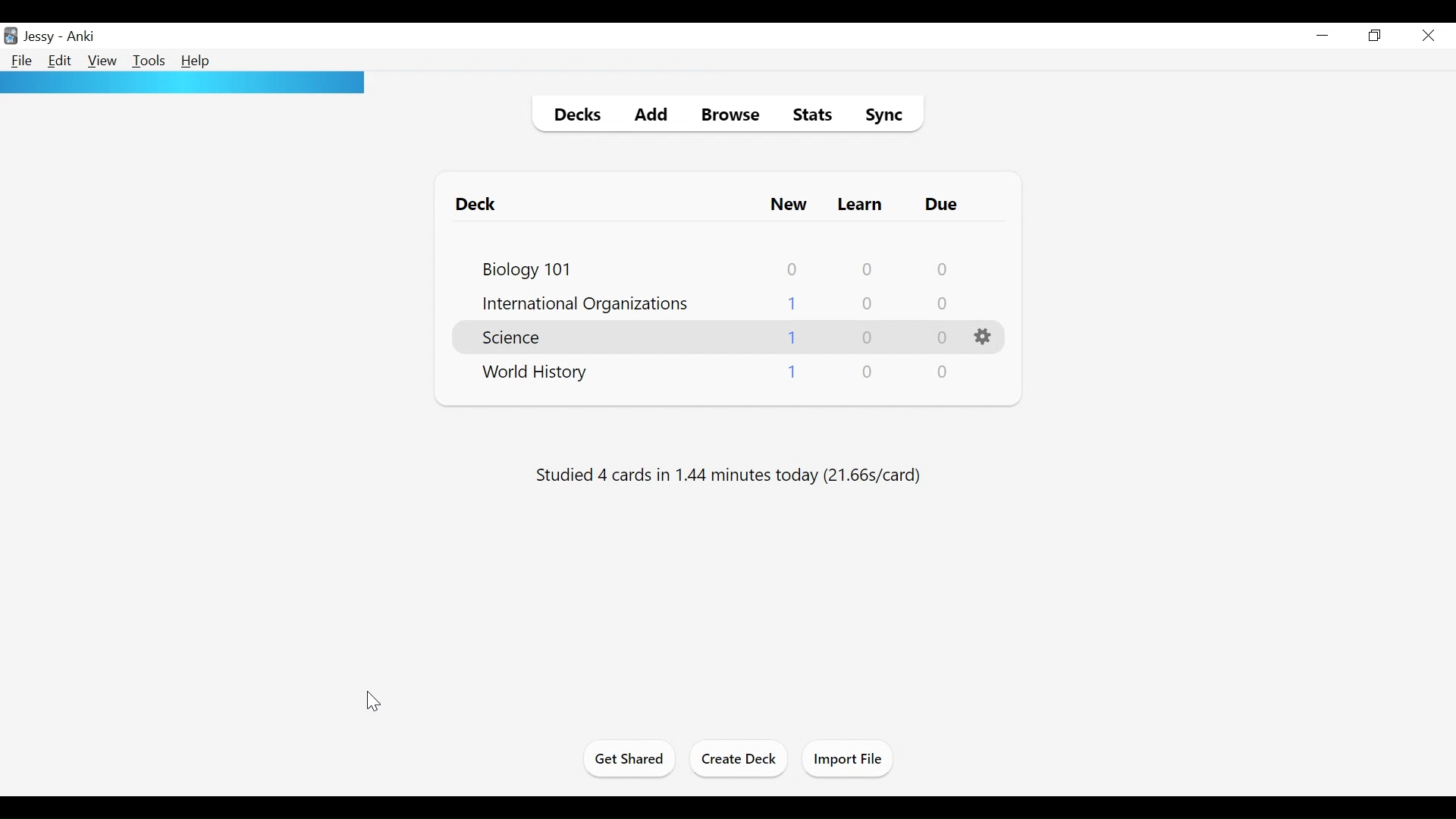 The height and width of the screenshot is (819, 1456). I want to click on Deck, so click(475, 203).